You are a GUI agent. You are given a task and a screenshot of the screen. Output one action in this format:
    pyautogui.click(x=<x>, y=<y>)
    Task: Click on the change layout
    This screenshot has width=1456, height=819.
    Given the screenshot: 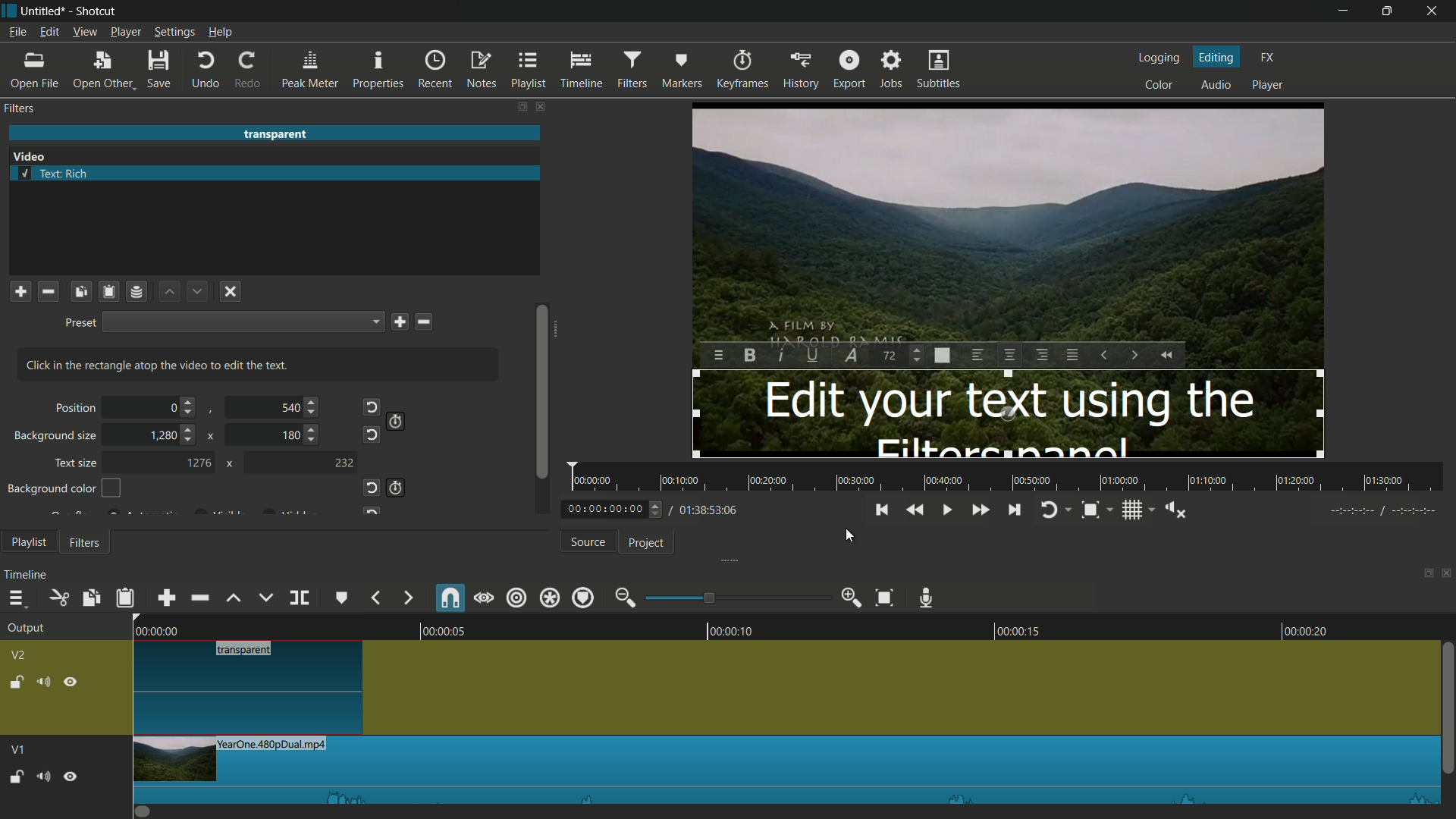 What is the action you would take?
    pyautogui.click(x=521, y=106)
    